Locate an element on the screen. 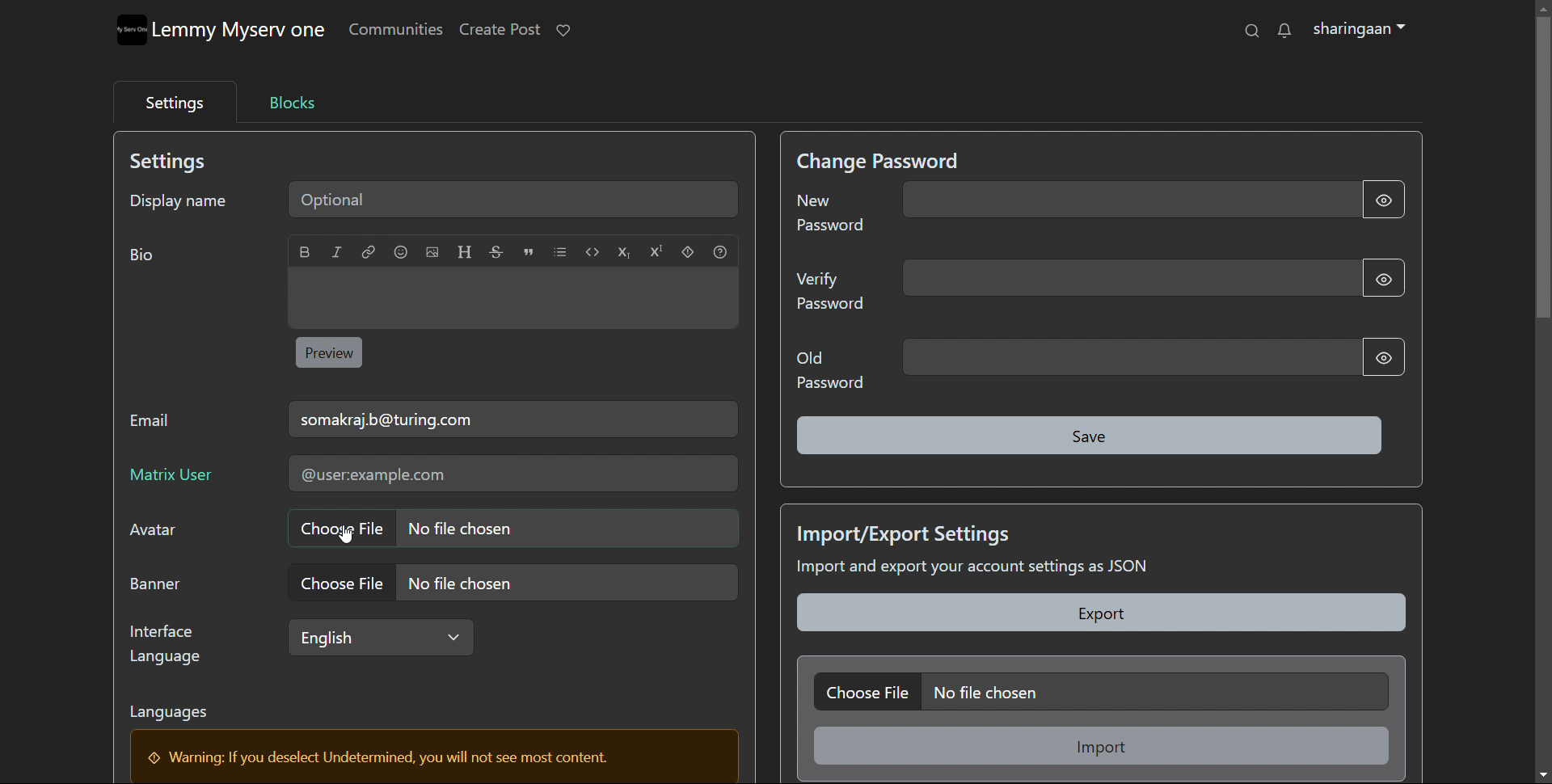 Image resolution: width=1552 pixels, height=784 pixels. toggle visibility is located at coordinates (1381, 276).